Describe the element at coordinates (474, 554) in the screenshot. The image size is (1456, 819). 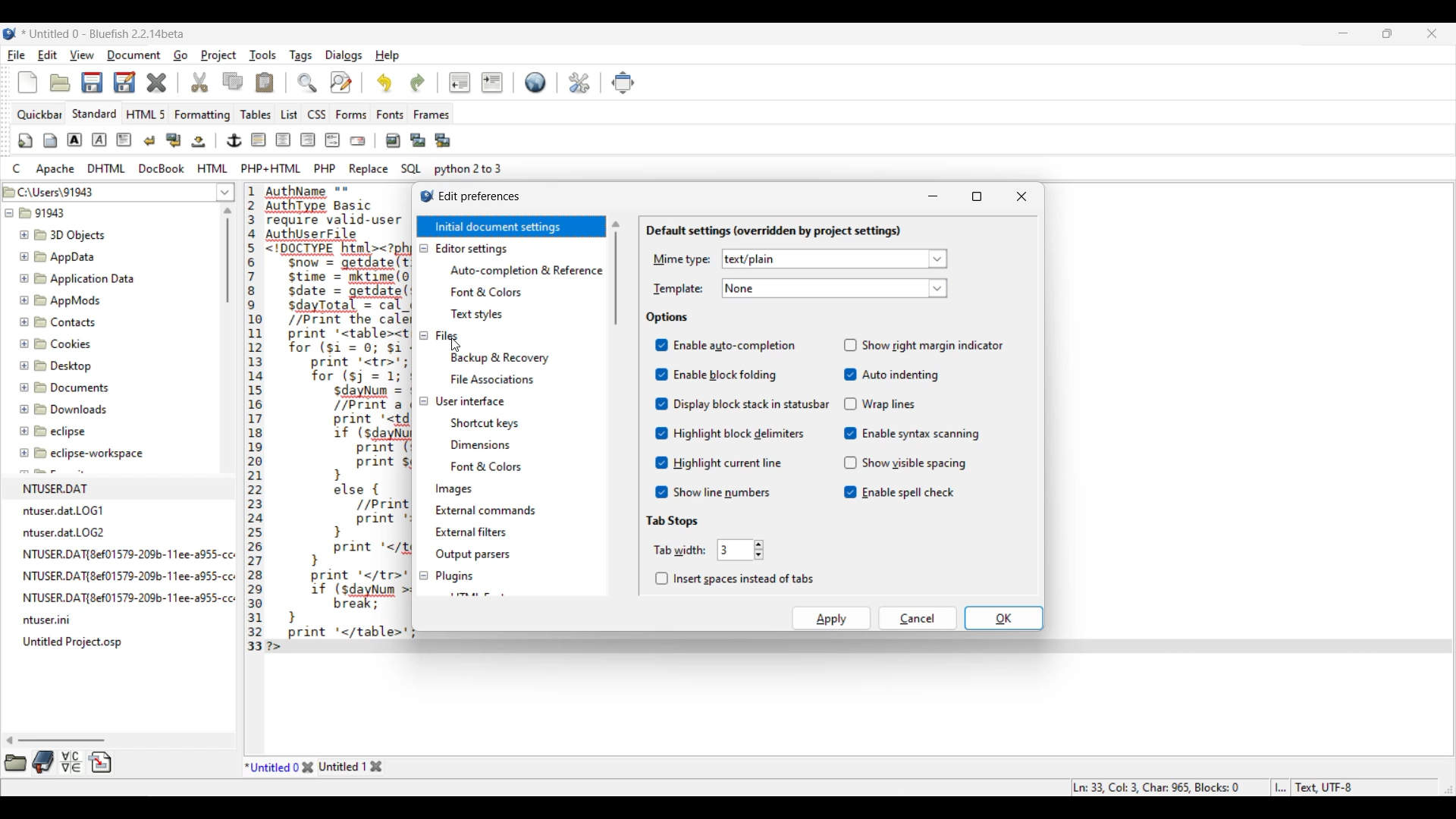
I see `Output parsers` at that location.